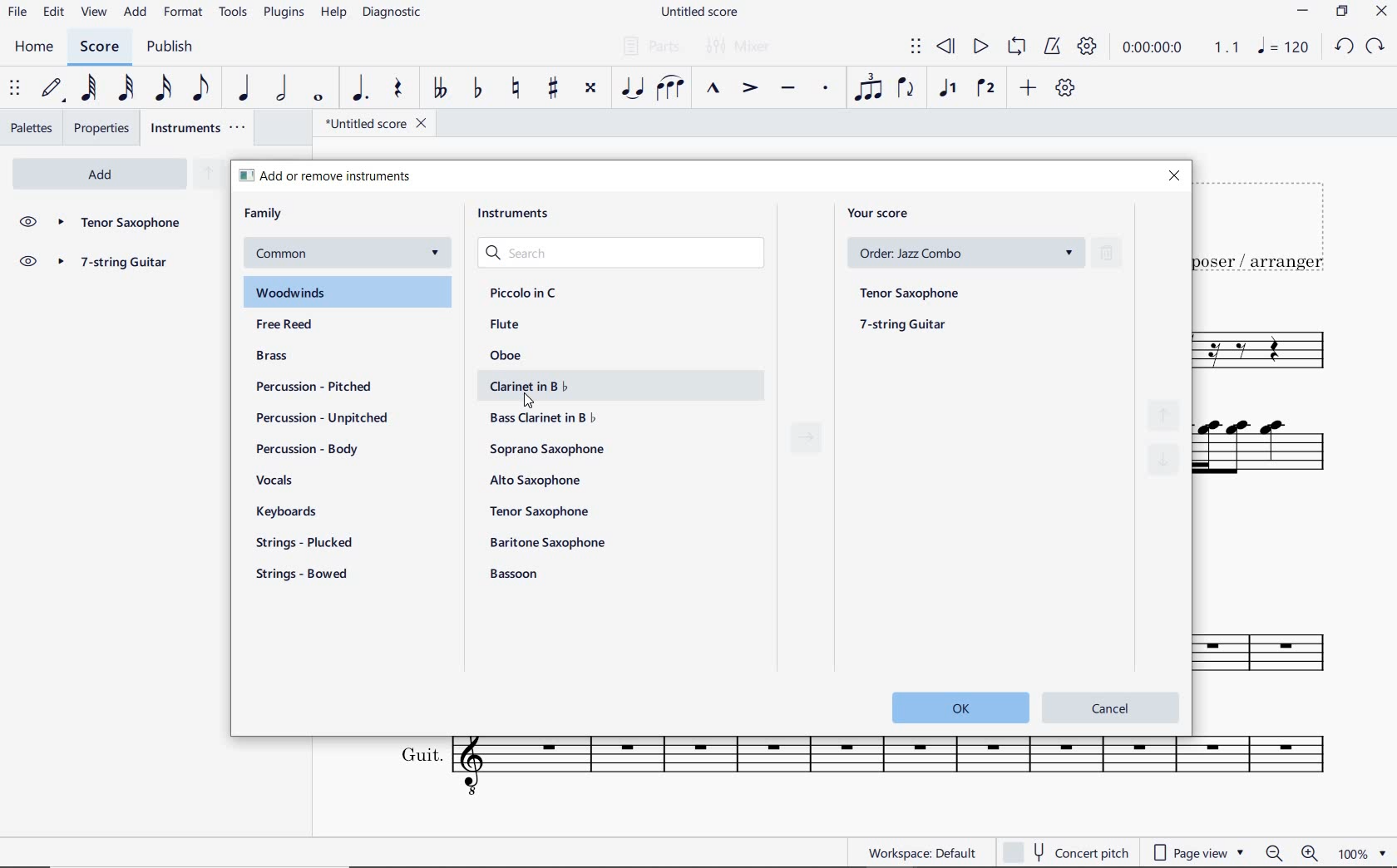 This screenshot has width=1397, height=868. Describe the element at coordinates (612, 386) in the screenshot. I see `clarinet in b (selected)` at that location.